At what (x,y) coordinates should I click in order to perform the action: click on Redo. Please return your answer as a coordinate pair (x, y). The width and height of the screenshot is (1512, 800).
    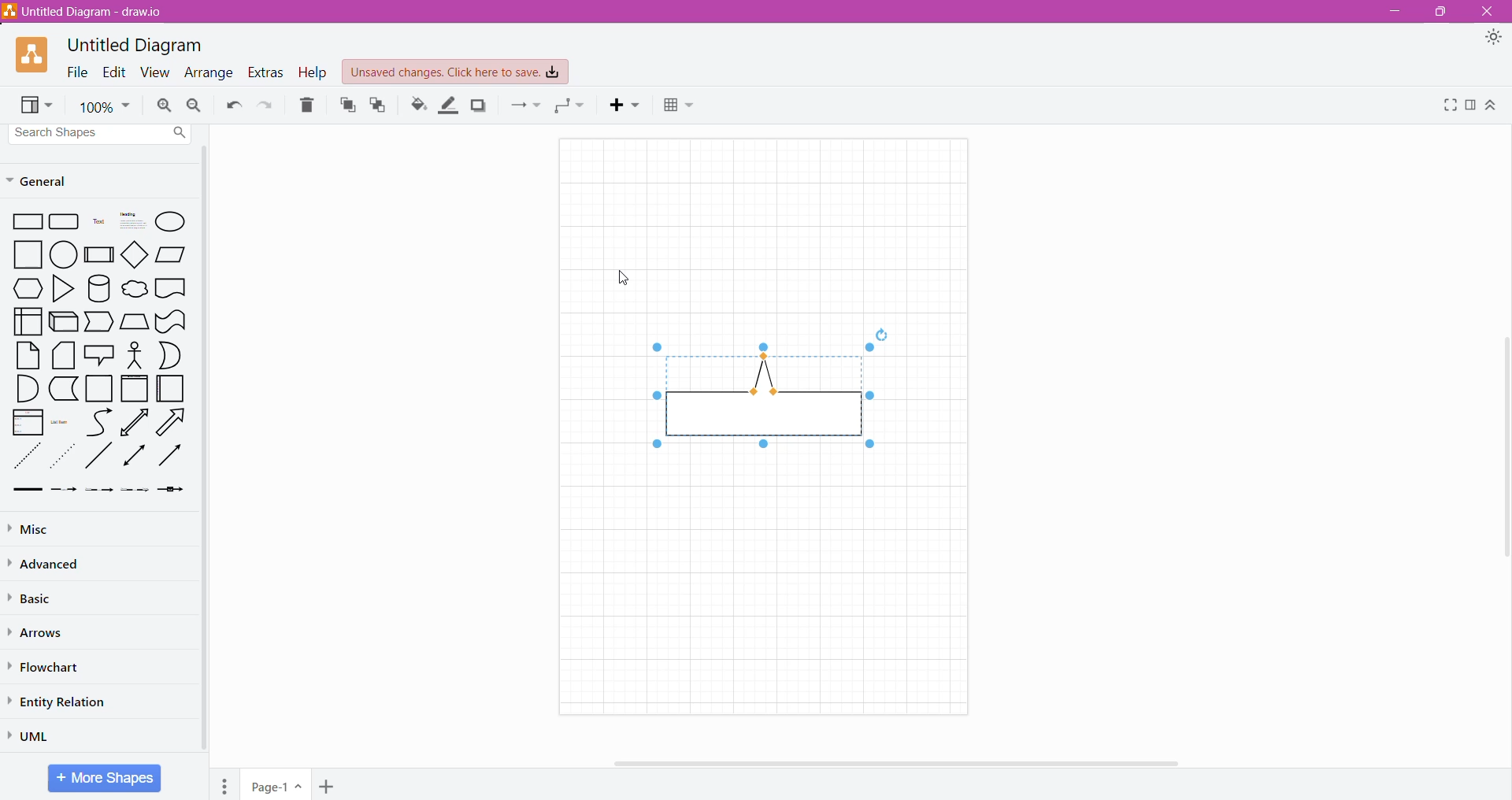
    Looking at the image, I should click on (268, 105).